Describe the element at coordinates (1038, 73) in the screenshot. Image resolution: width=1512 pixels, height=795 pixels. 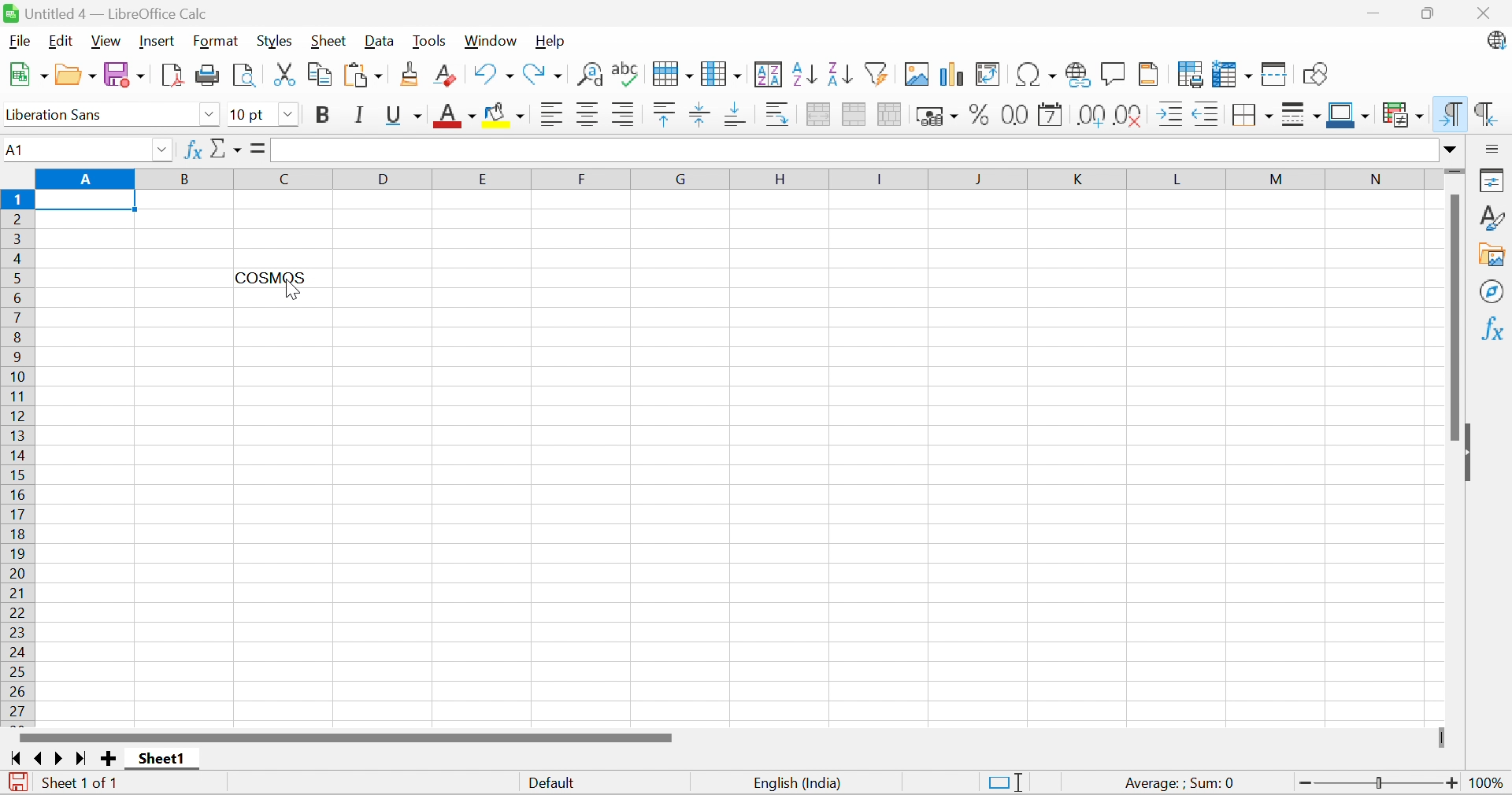
I see `Insert Special Characters` at that location.